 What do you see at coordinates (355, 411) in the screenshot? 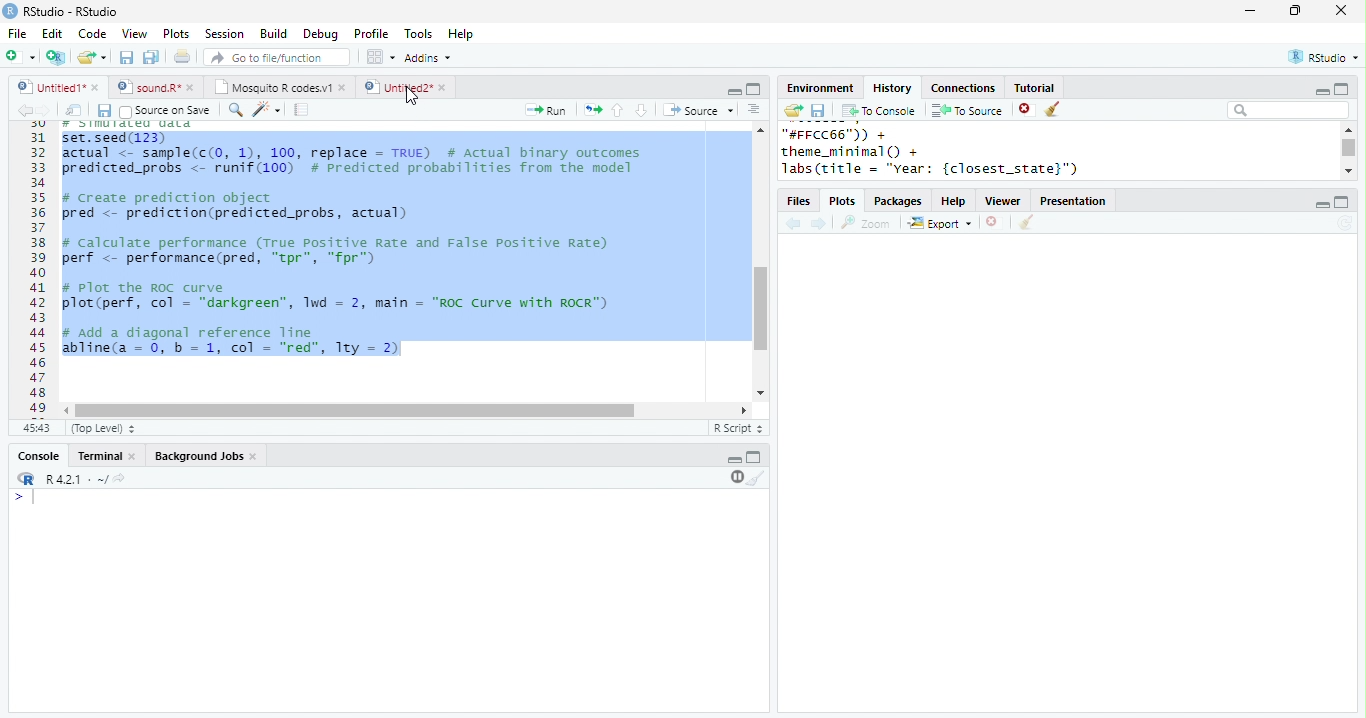
I see `scroll bar` at bounding box center [355, 411].